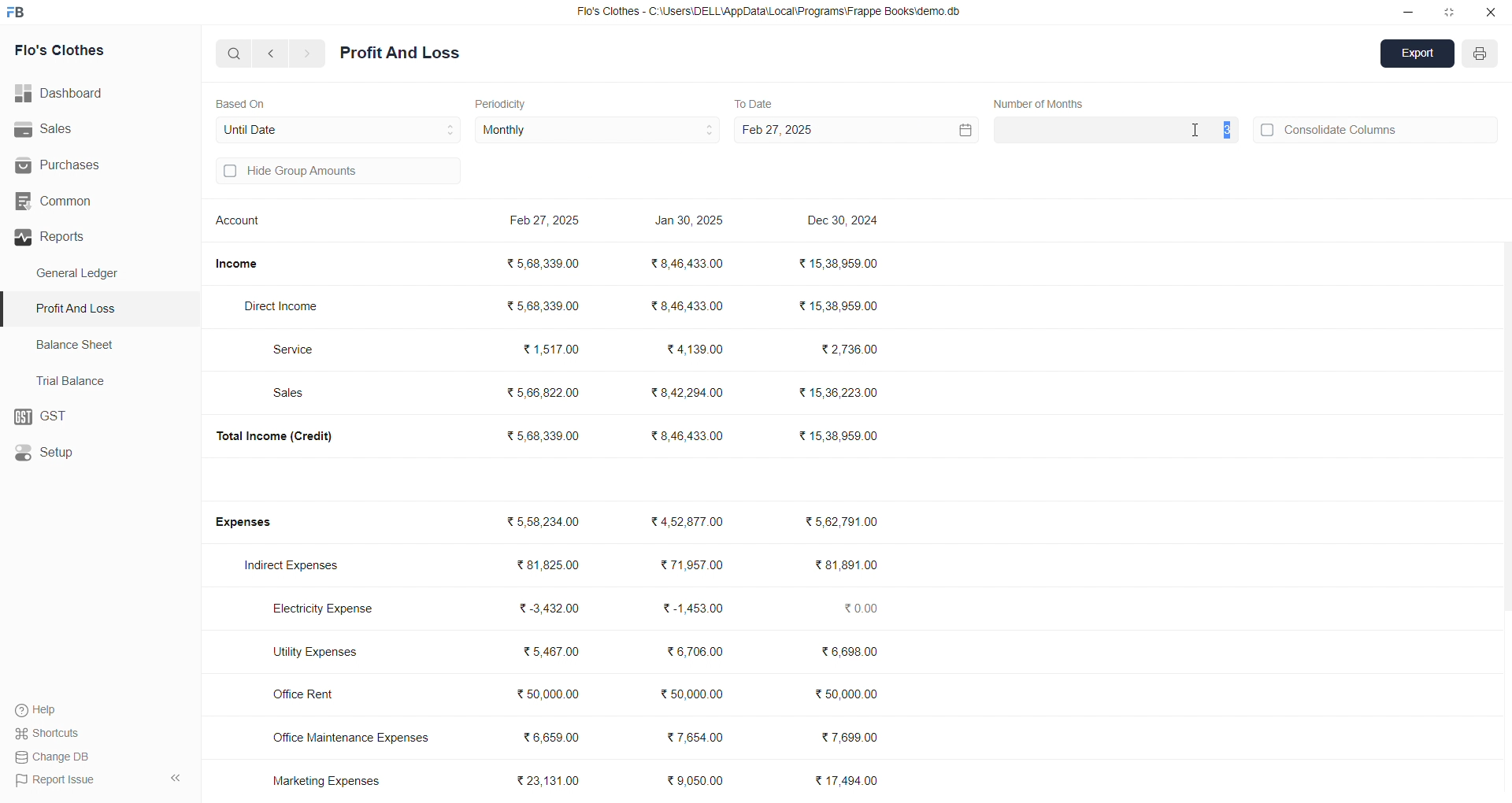 This screenshot has height=803, width=1512. Describe the element at coordinates (838, 390) in the screenshot. I see `₹15,36,223.00` at that location.